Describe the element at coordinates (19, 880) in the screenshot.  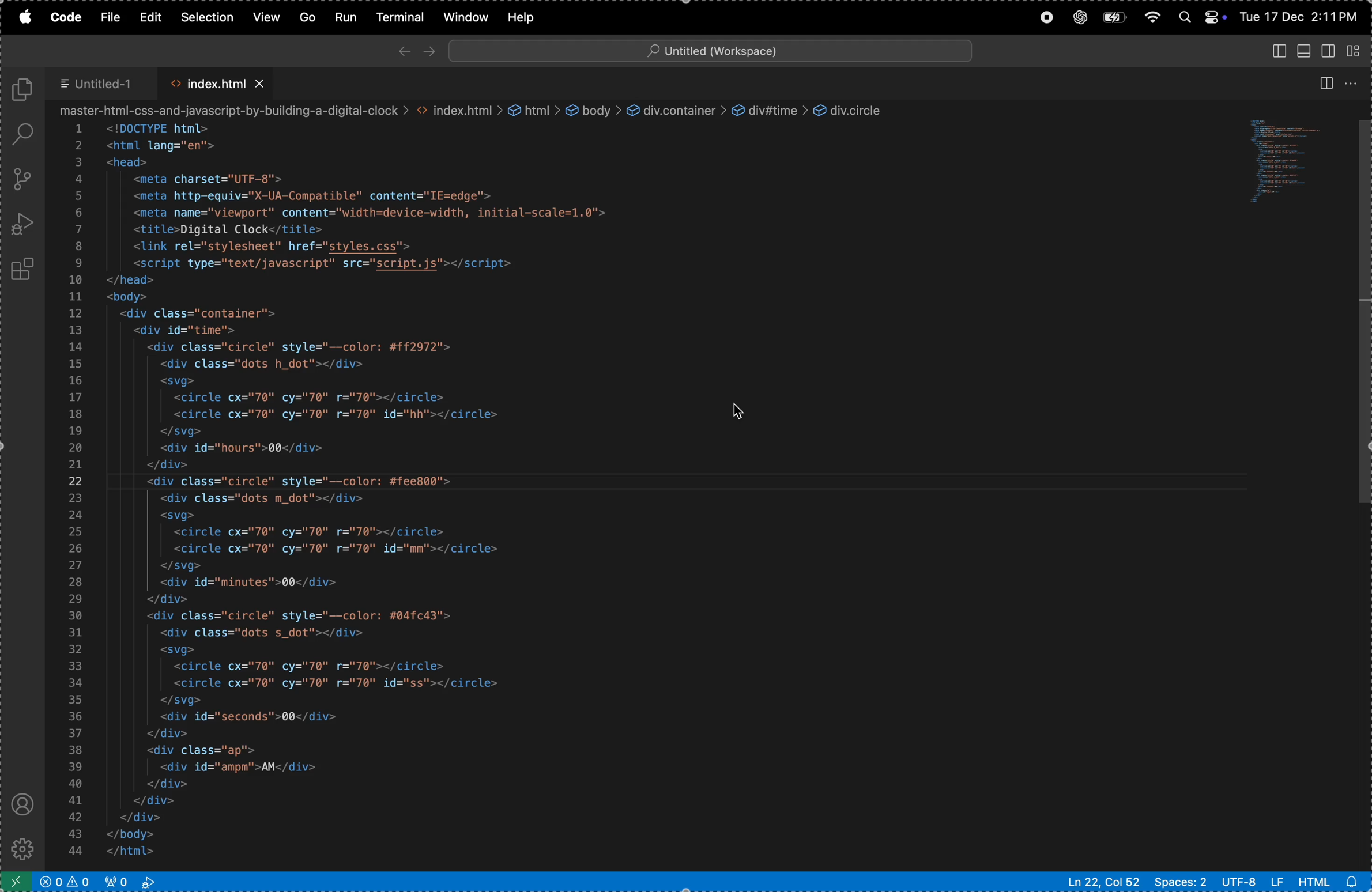
I see `open remote window` at that location.